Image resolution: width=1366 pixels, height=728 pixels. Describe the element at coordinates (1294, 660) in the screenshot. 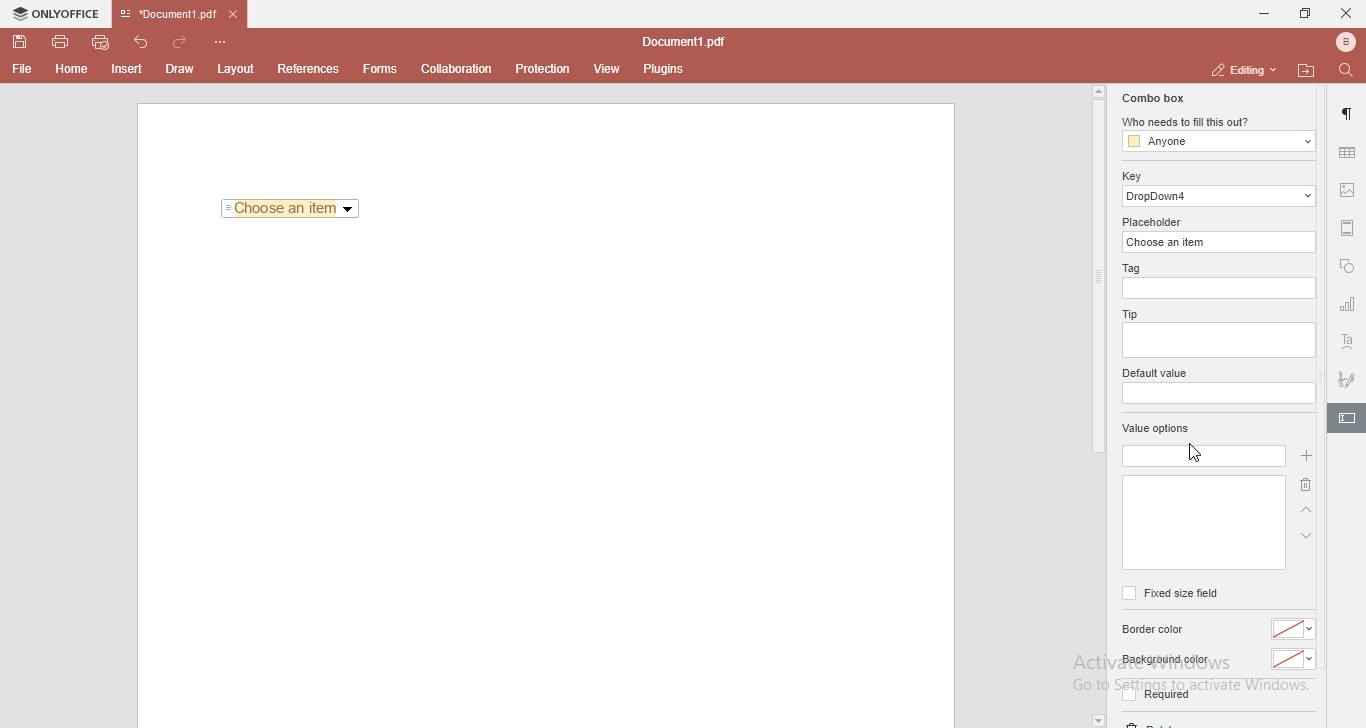

I see `color dropdown` at that location.